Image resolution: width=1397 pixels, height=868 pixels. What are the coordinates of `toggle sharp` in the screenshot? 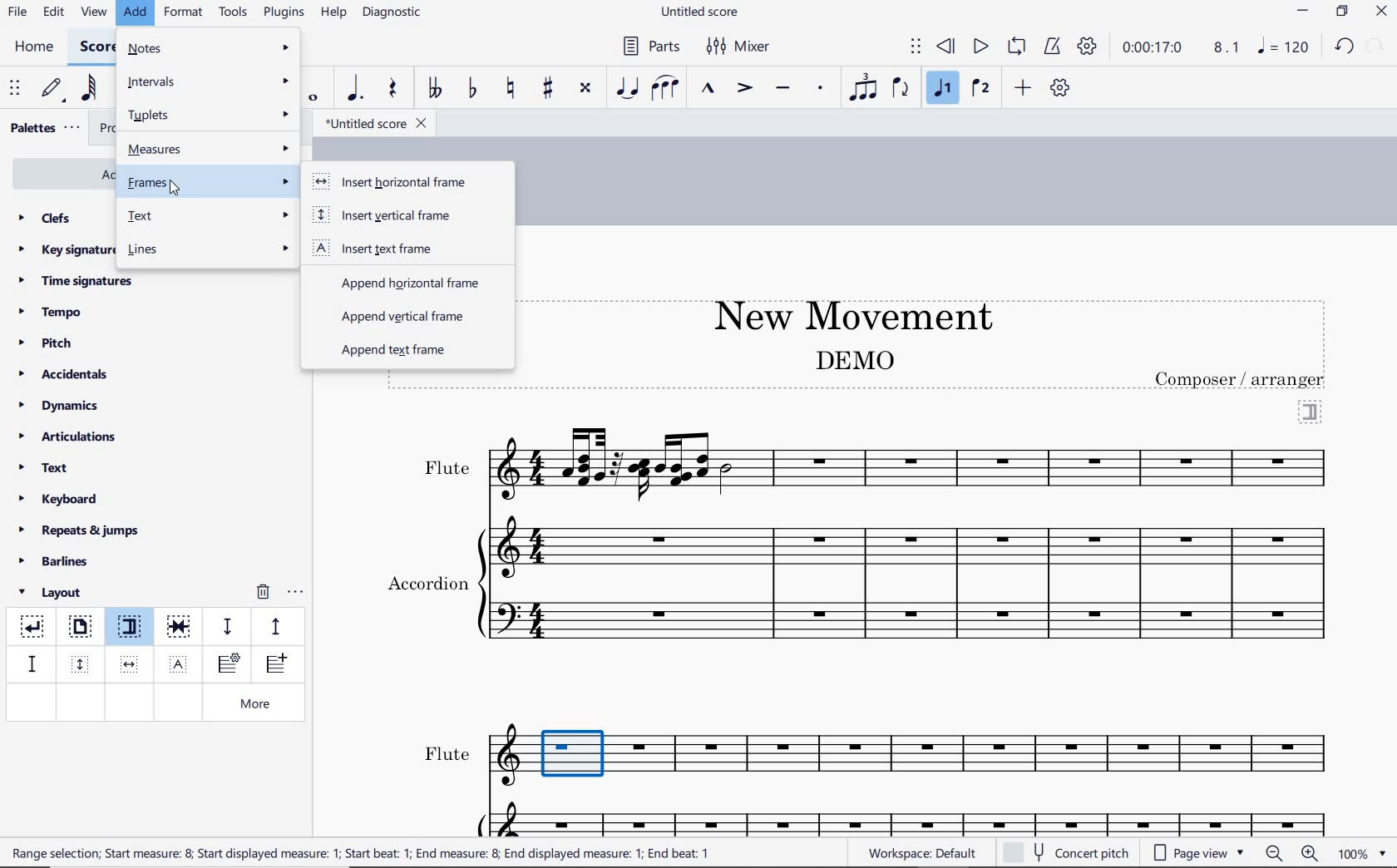 It's located at (550, 89).